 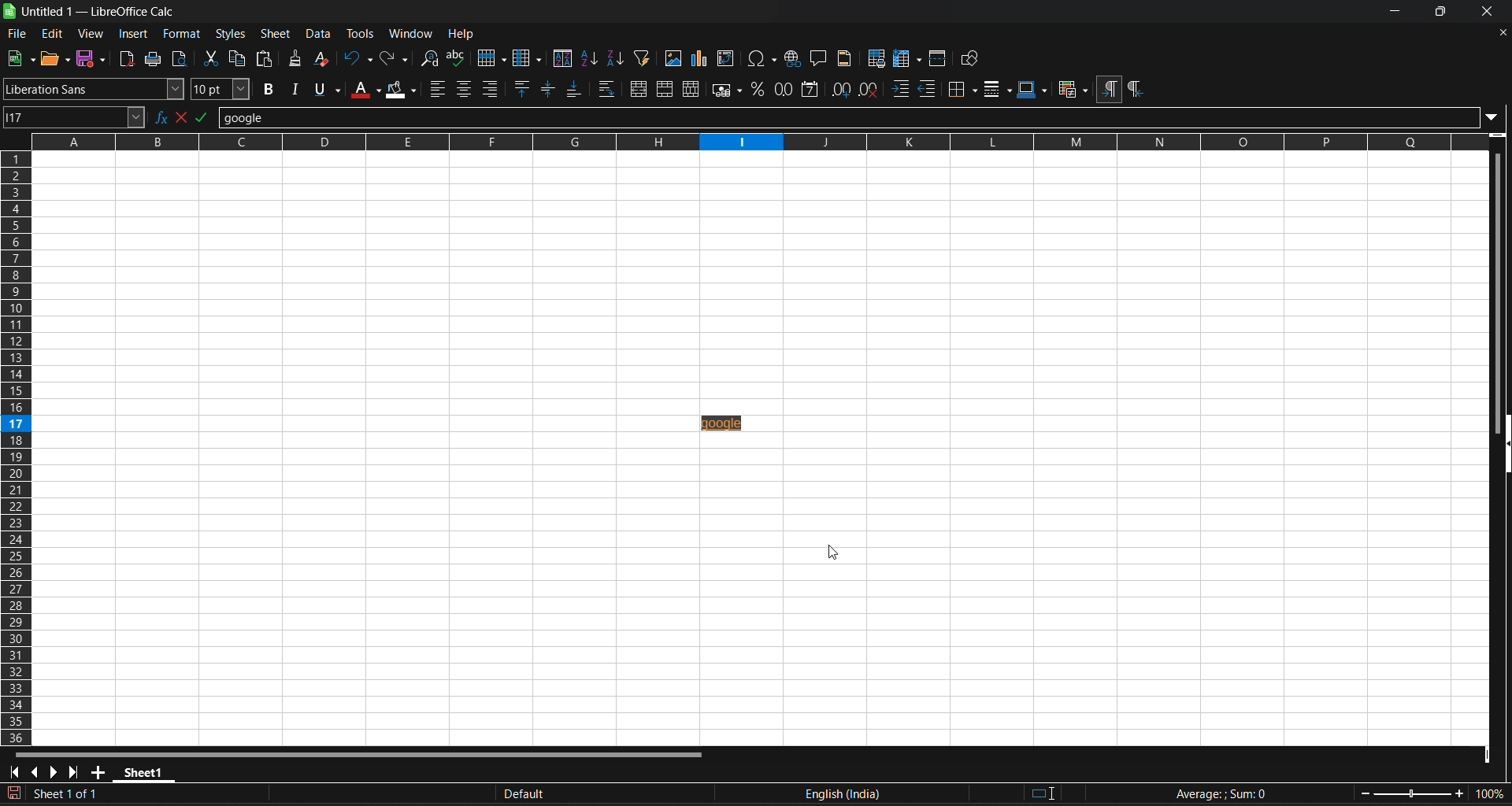 I want to click on scroll to previous sheet, so click(x=35, y=772).